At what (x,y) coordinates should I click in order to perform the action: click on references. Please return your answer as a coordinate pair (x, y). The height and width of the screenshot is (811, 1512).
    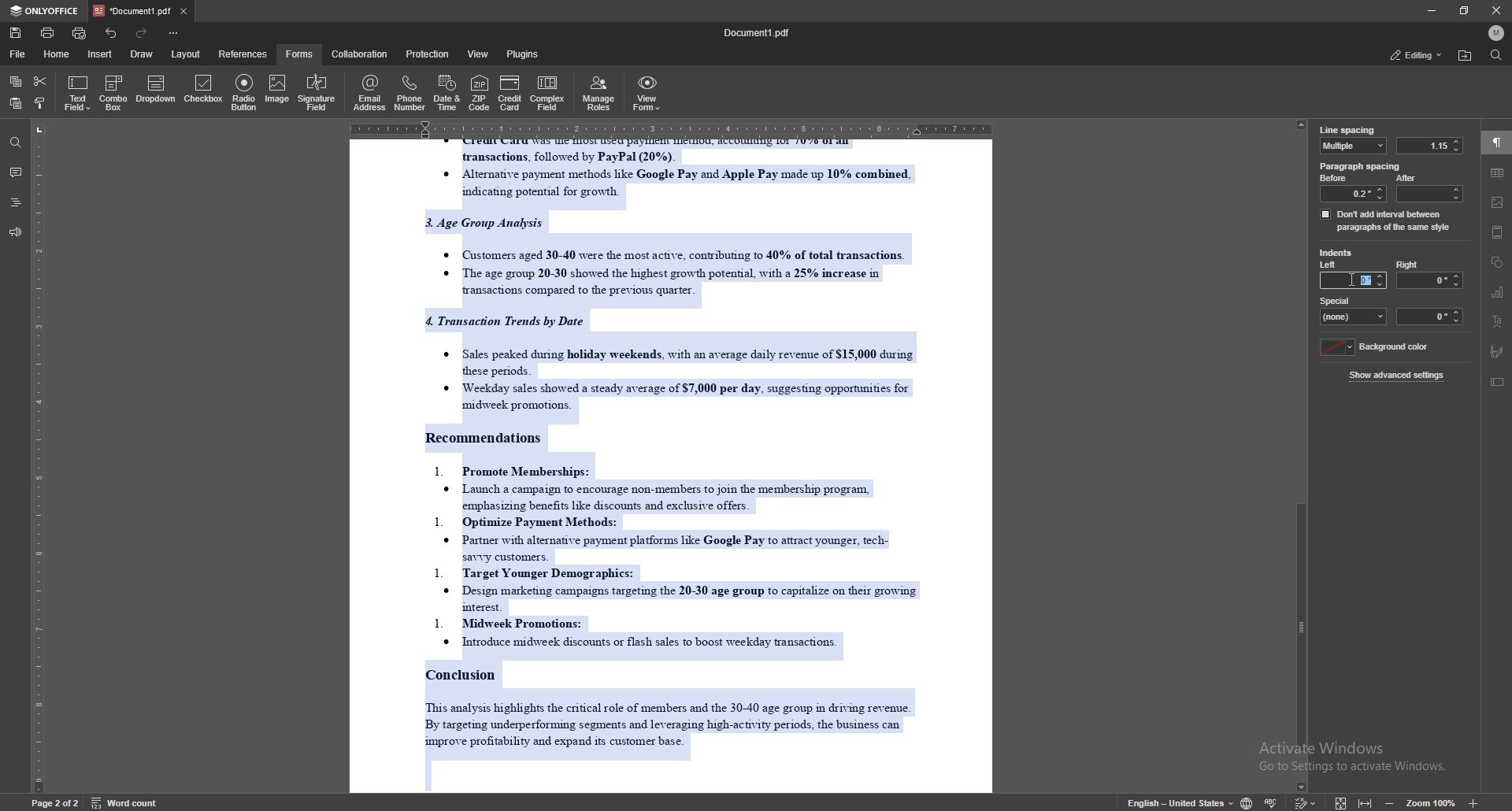
    Looking at the image, I should click on (244, 54).